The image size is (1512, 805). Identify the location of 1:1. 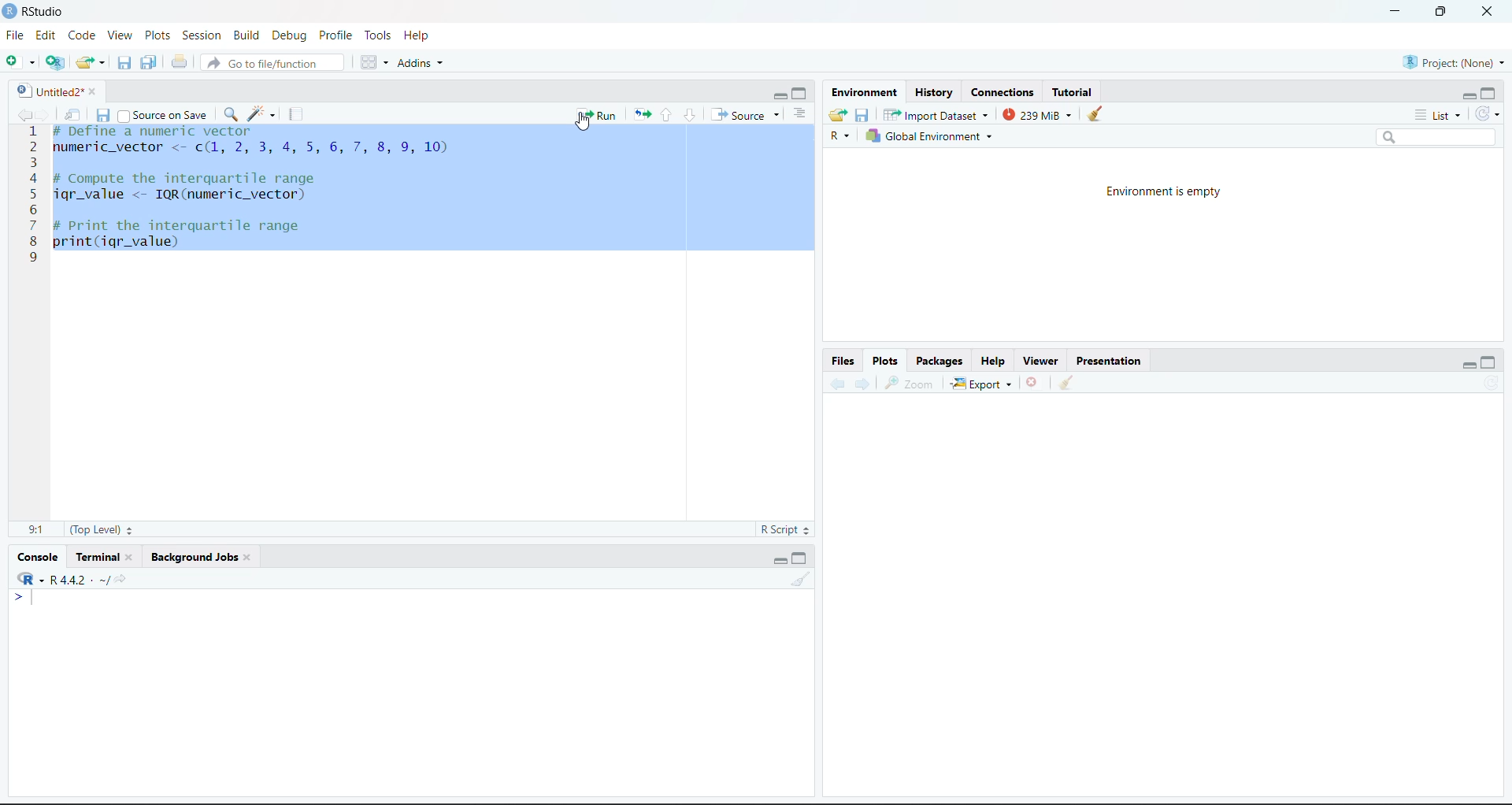
(36, 528).